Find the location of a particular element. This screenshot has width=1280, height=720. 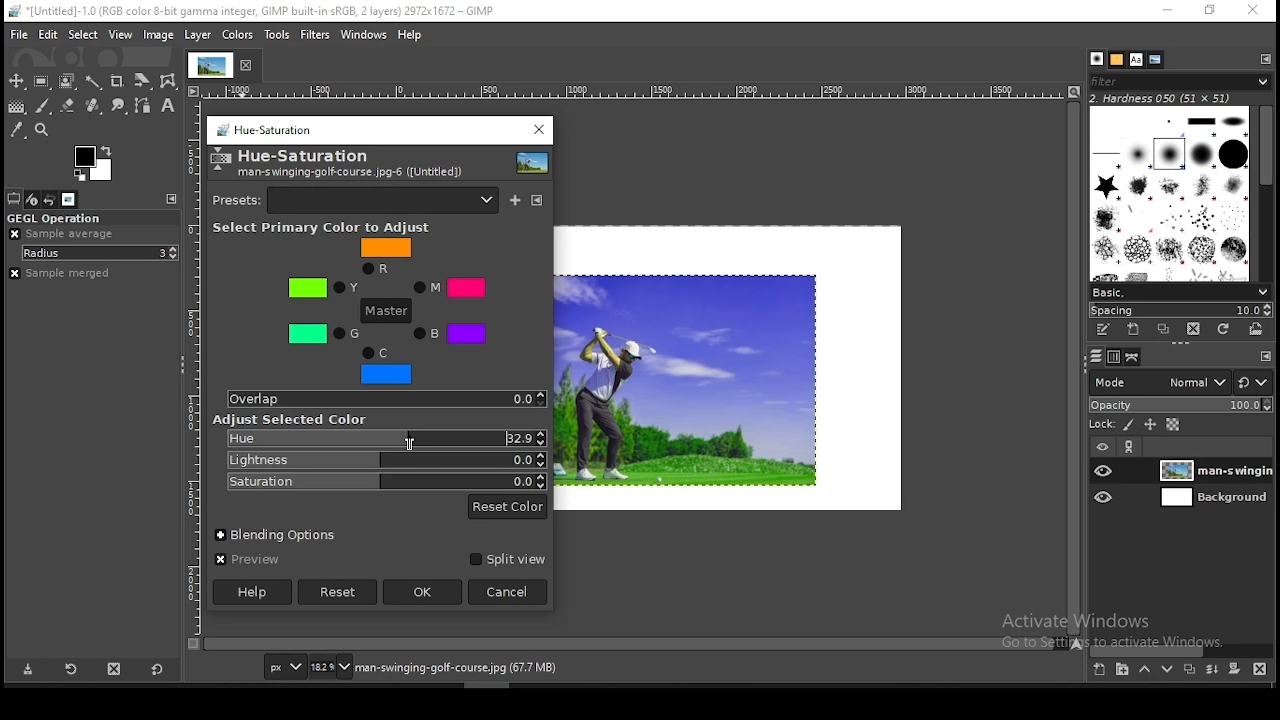

view is located at coordinates (120, 35).